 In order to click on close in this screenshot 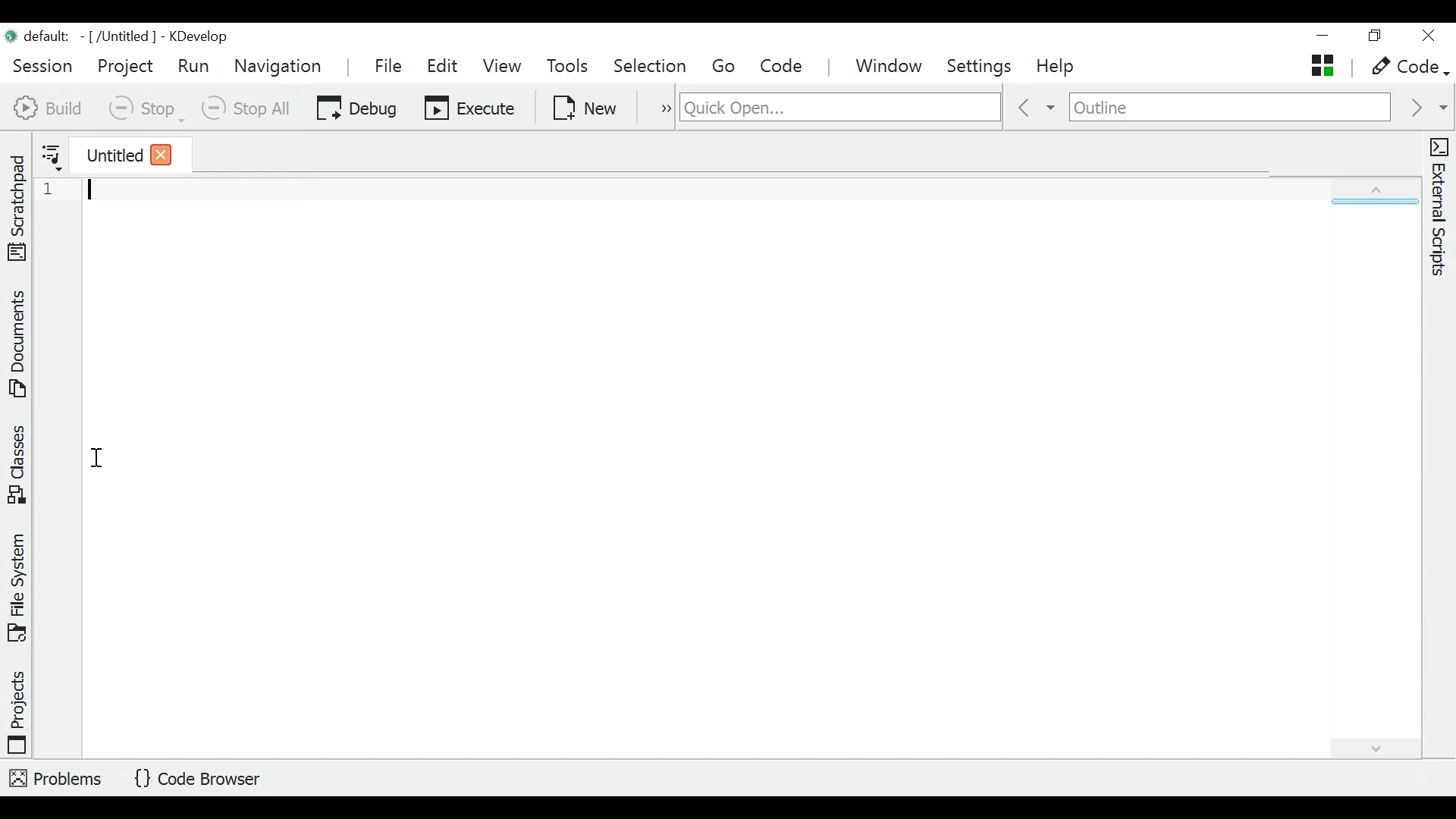, I will do `click(163, 155)`.